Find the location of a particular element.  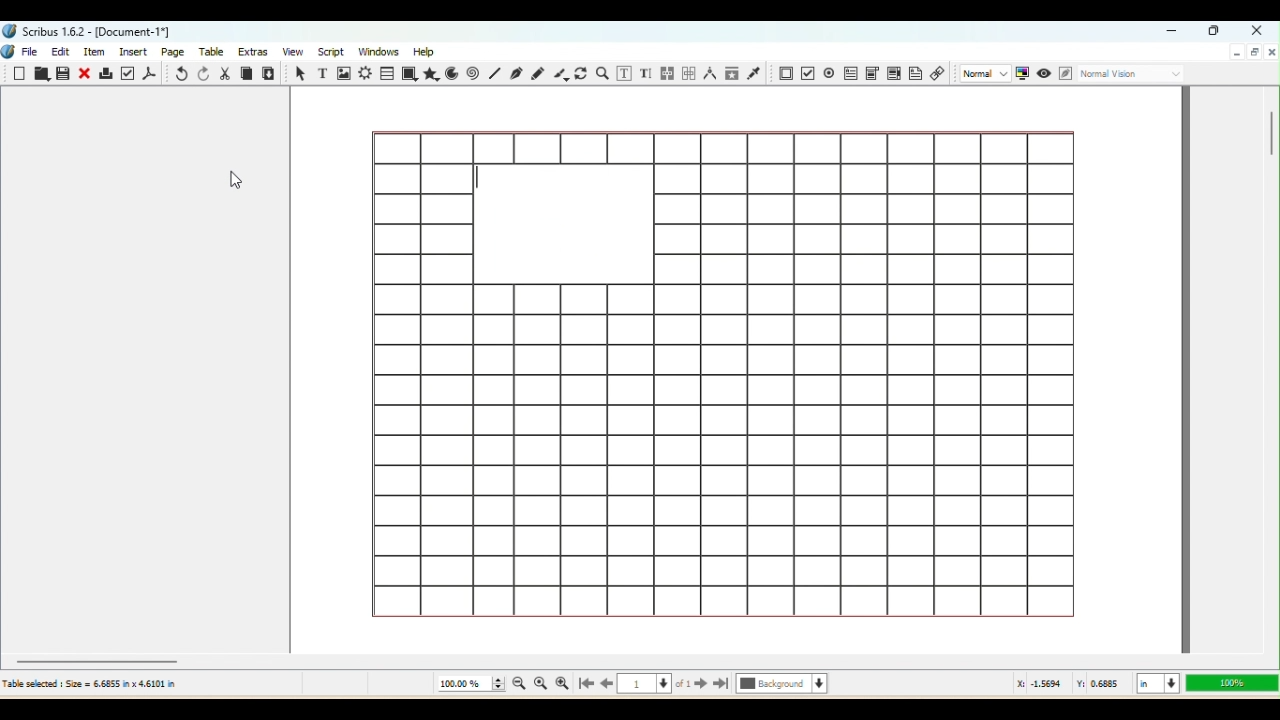

Go to the last page is located at coordinates (722, 685).